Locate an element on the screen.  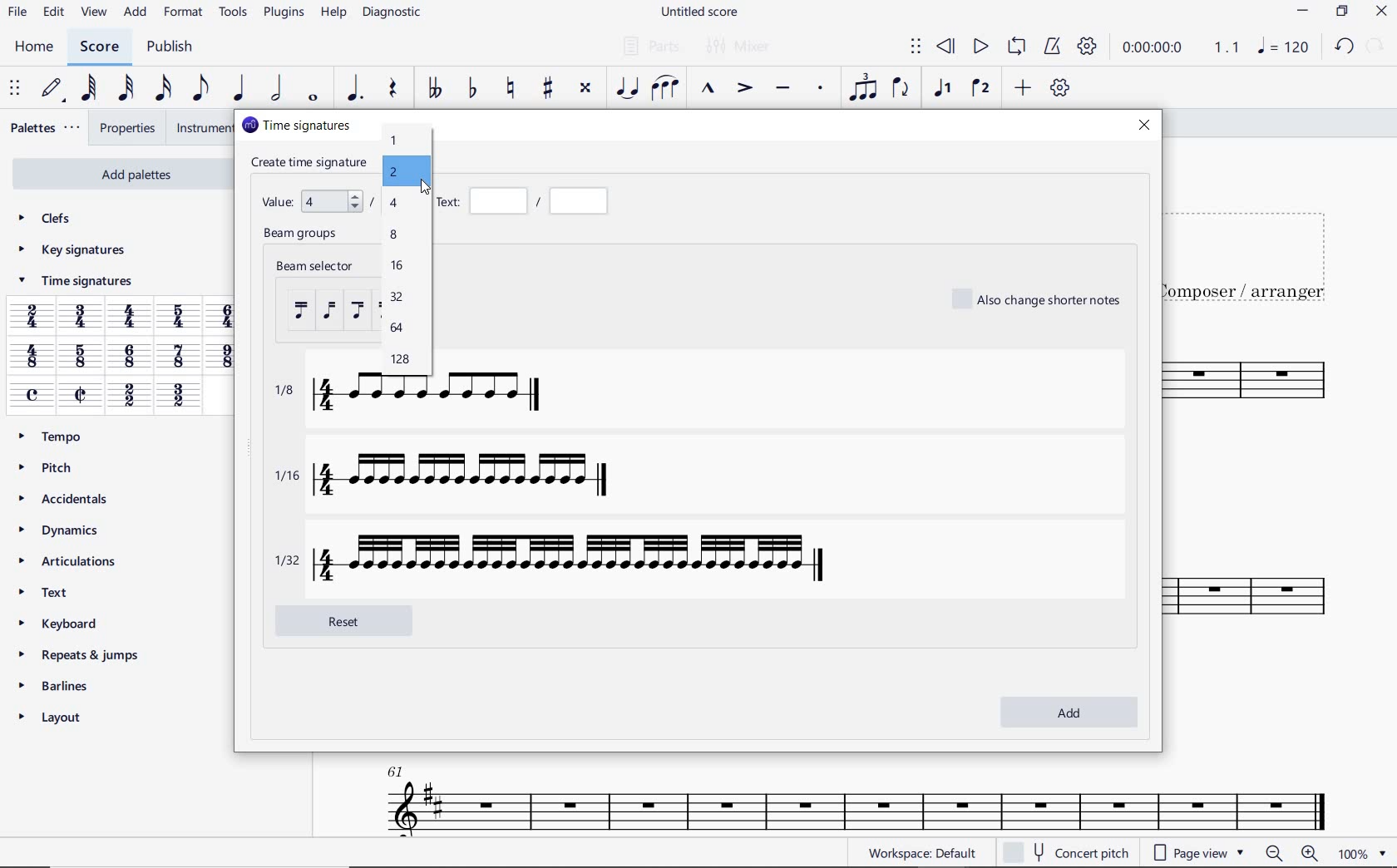
MARCATO is located at coordinates (708, 90).